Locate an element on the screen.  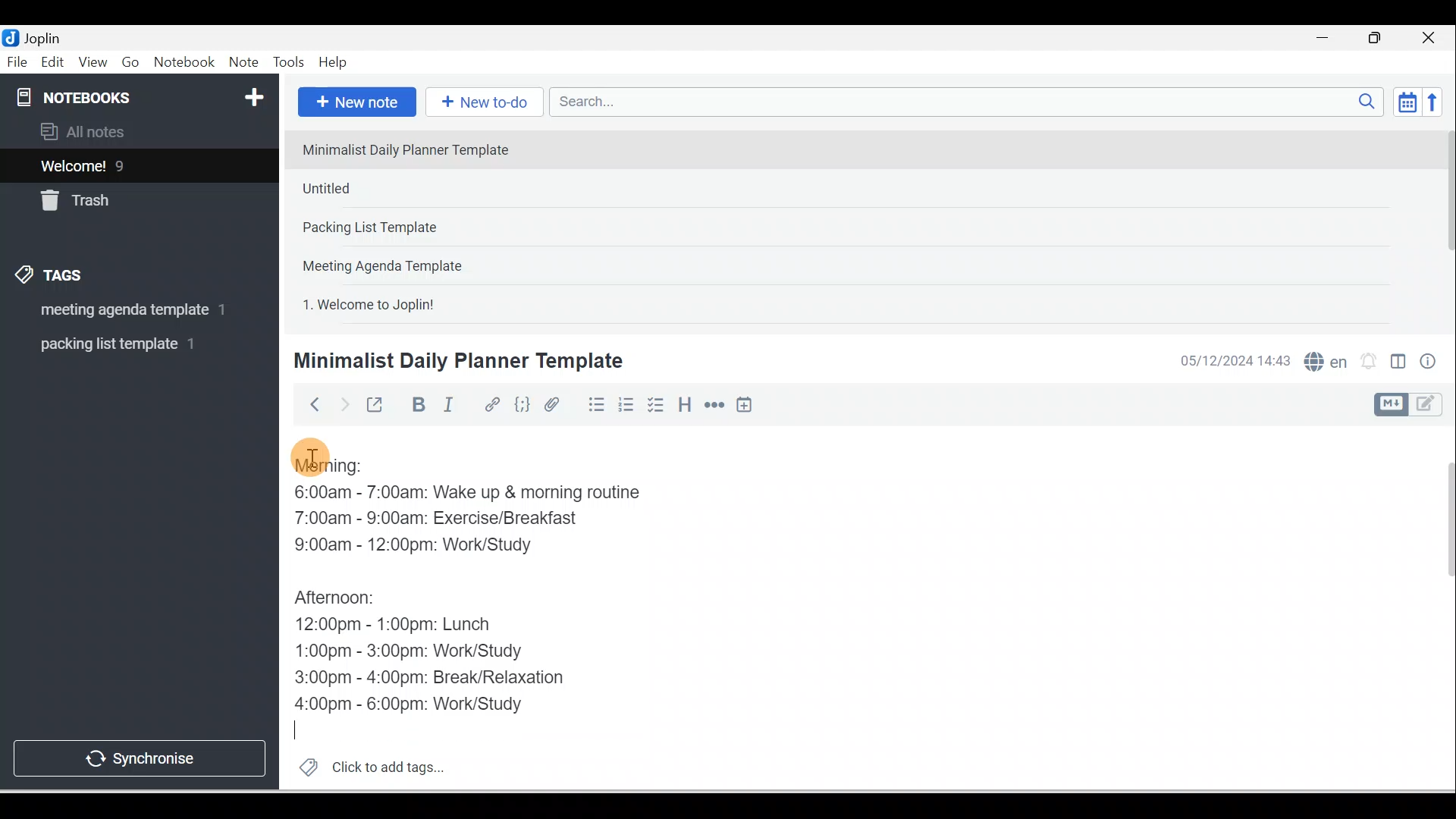
Scroll bar is located at coordinates (1439, 608).